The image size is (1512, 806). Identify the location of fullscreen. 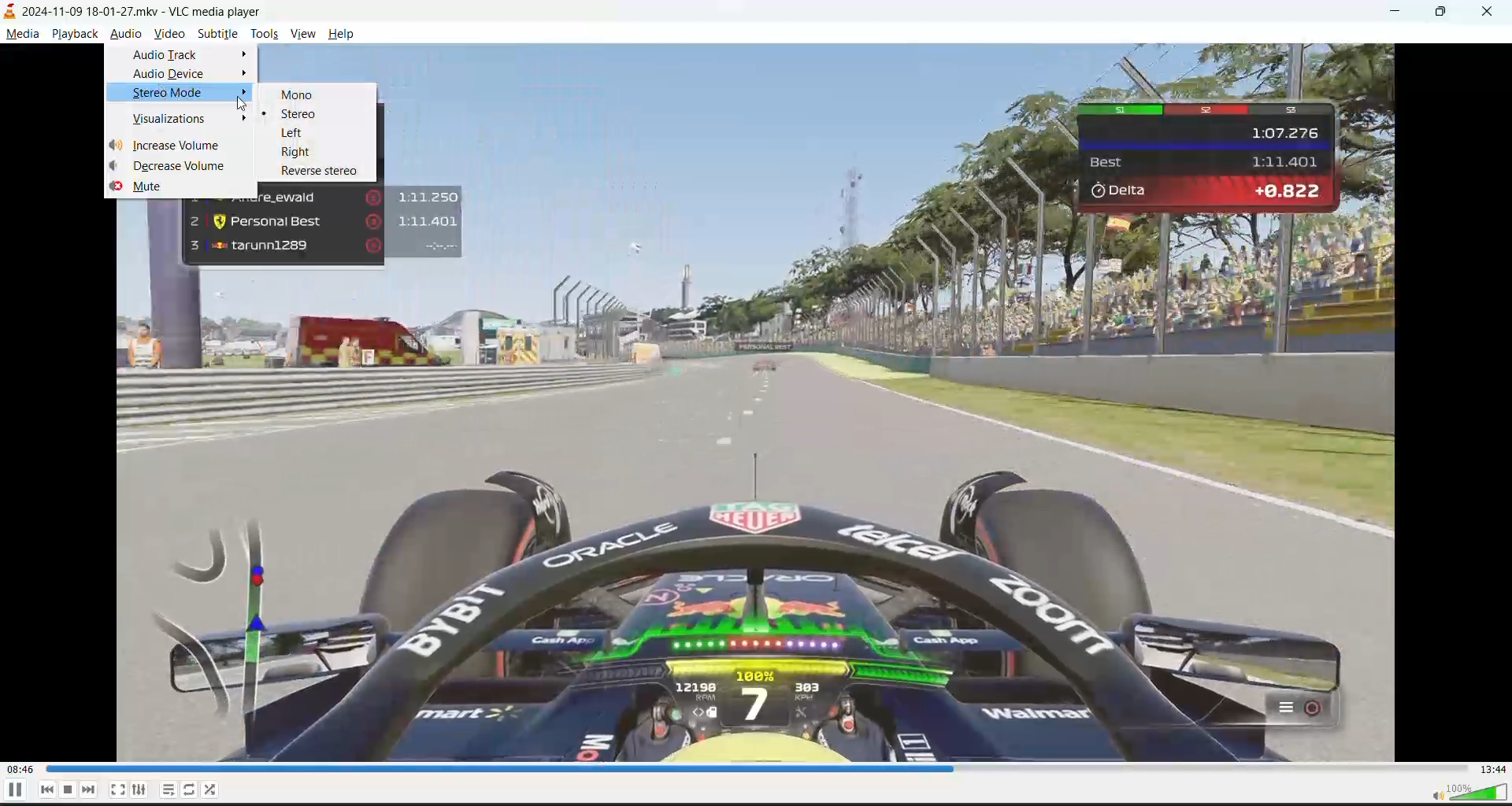
(116, 789).